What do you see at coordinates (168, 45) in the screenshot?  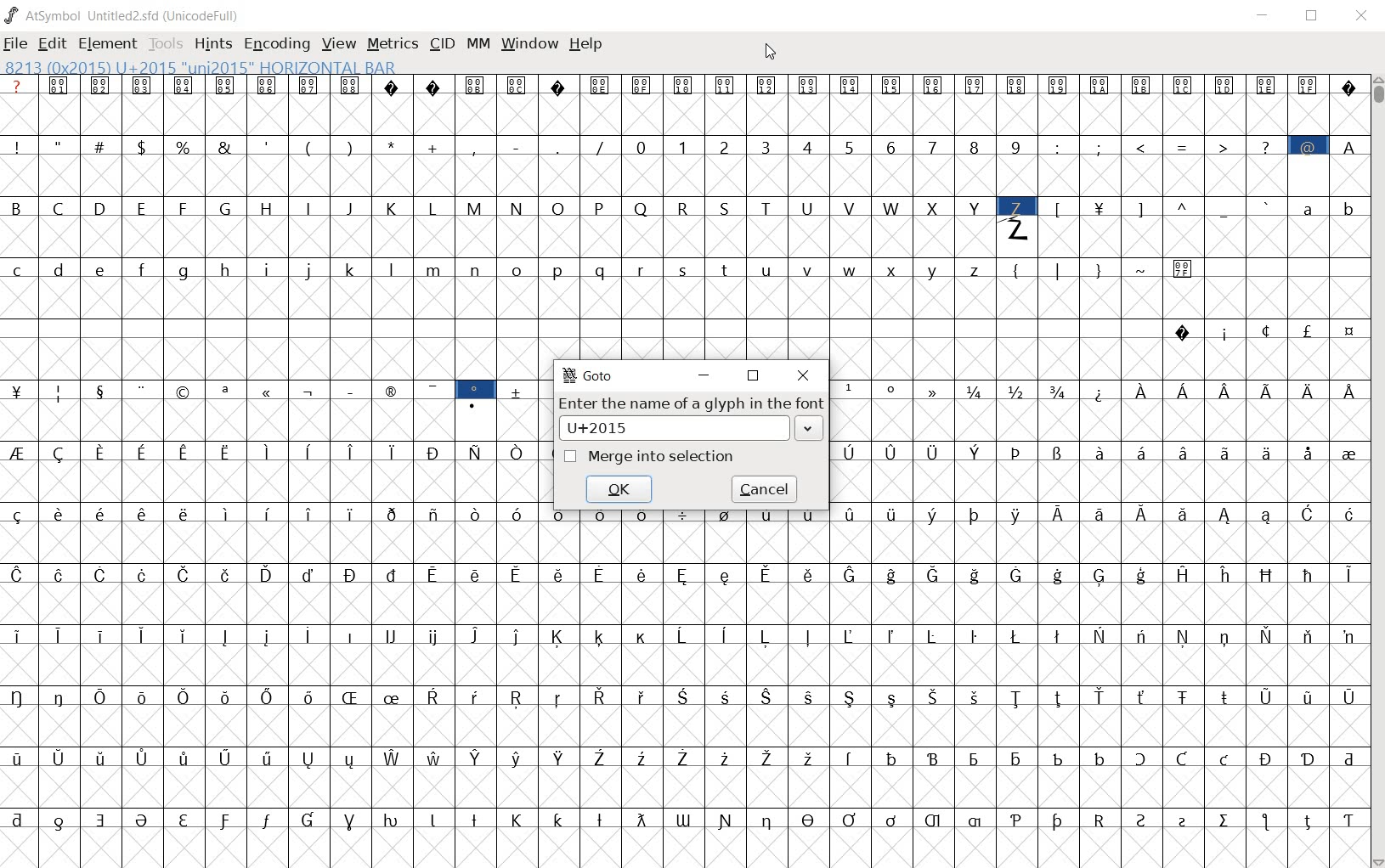 I see `TOOLS` at bounding box center [168, 45].